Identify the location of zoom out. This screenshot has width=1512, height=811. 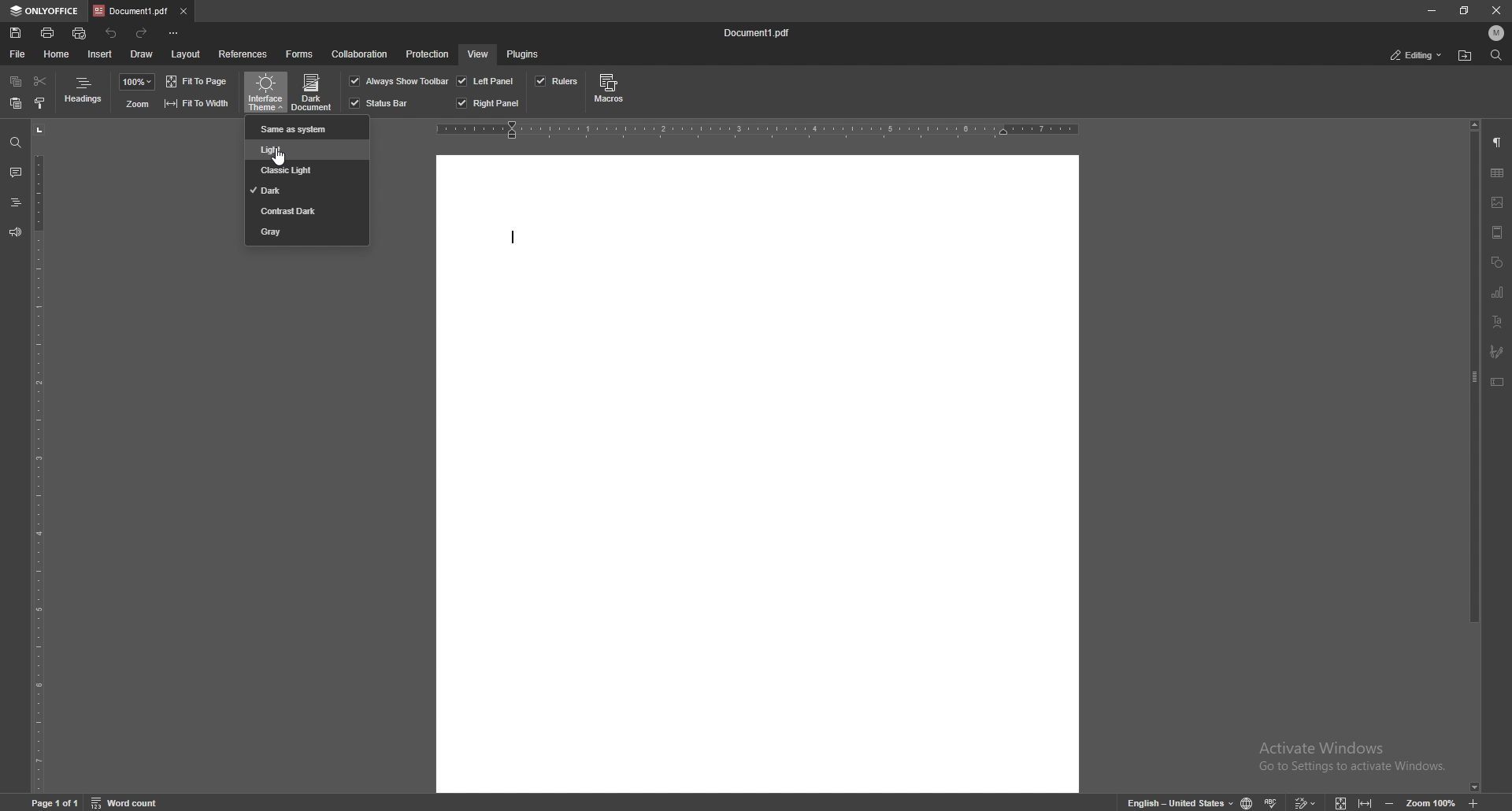
(1390, 803).